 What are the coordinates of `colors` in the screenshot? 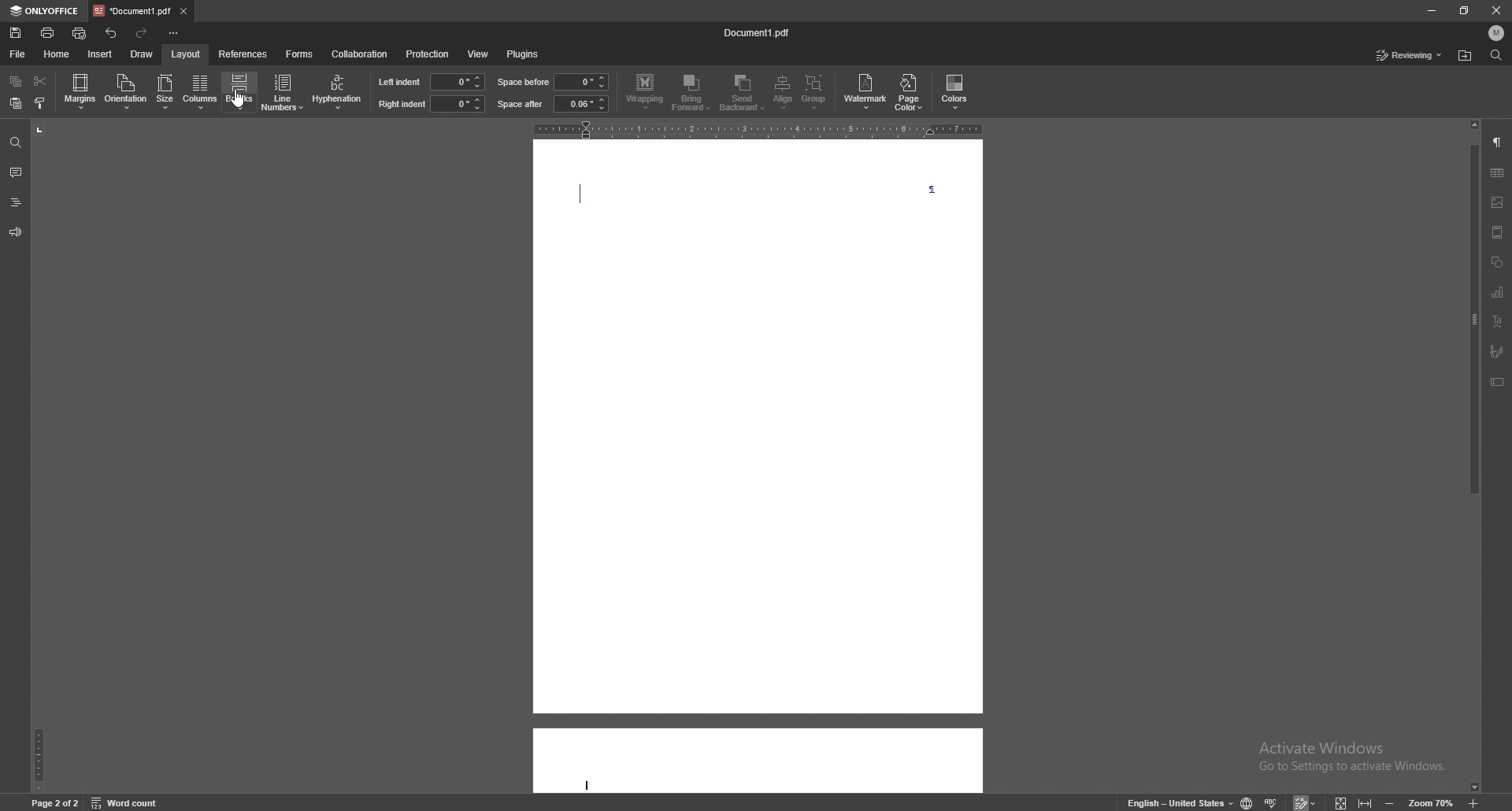 It's located at (957, 91).